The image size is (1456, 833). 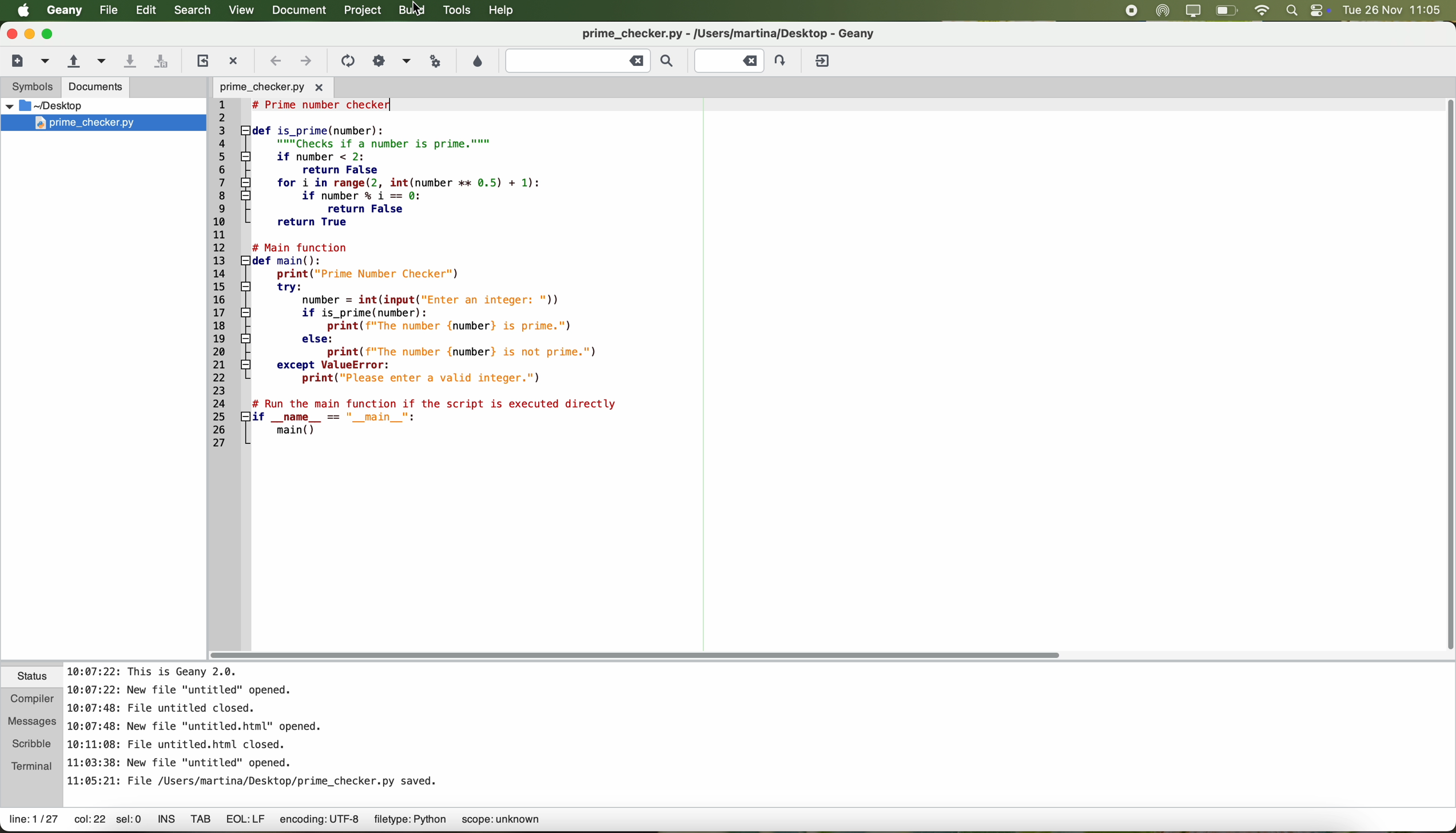 What do you see at coordinates (106, 10) in the screenshot?
I see `file` at bounding box center [106, 10].